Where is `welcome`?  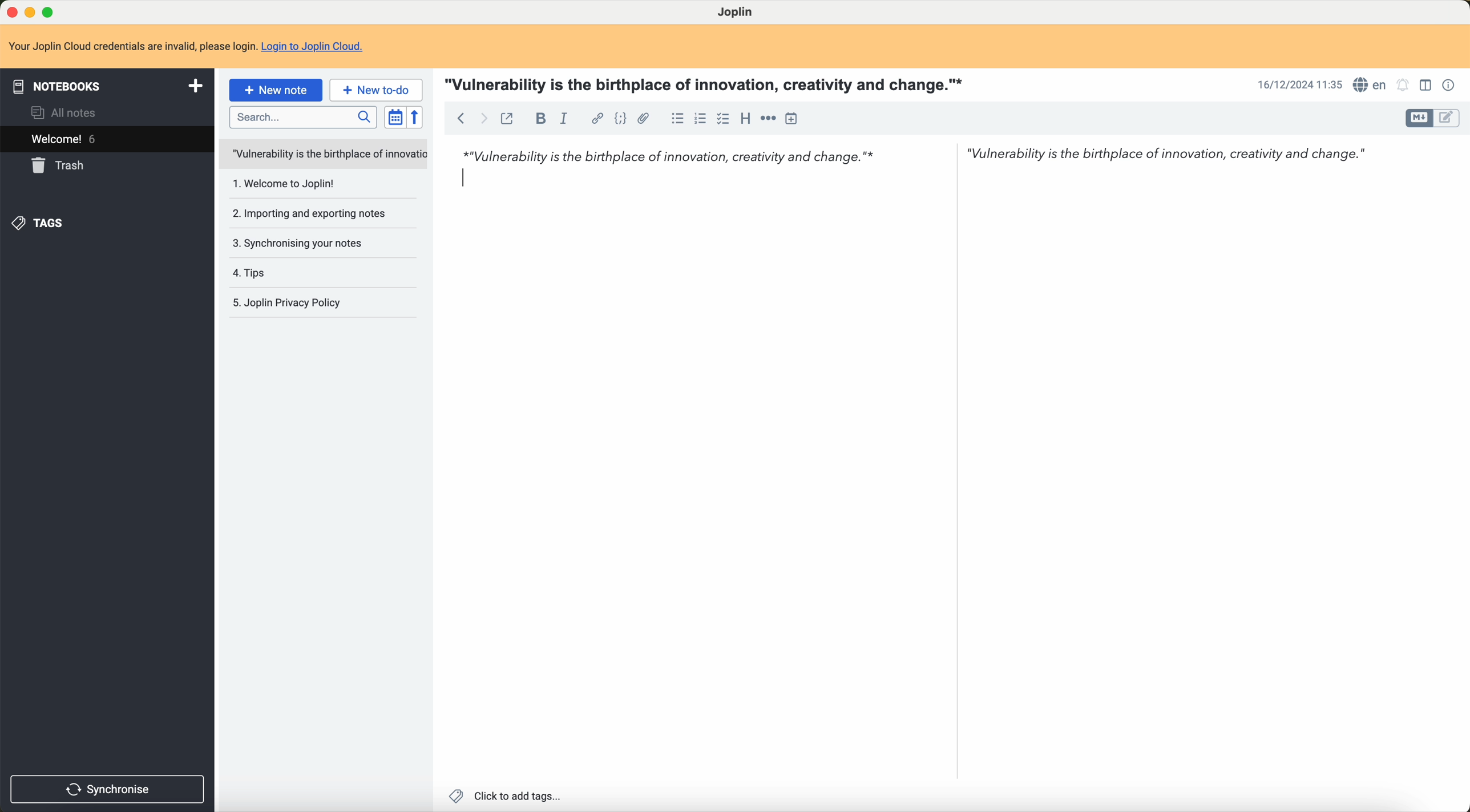
welcome is located at coordinates (66, 140).